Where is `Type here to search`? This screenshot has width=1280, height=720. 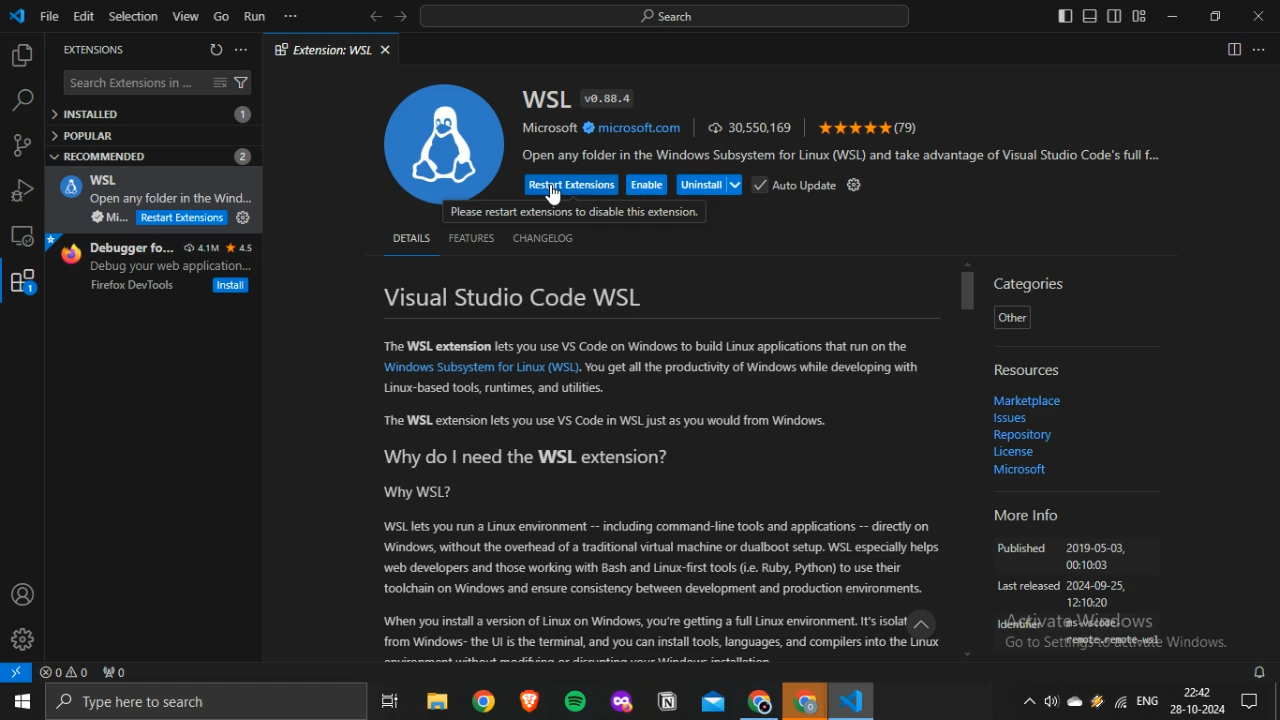 Type here to search is located at coordinates (205, 702).